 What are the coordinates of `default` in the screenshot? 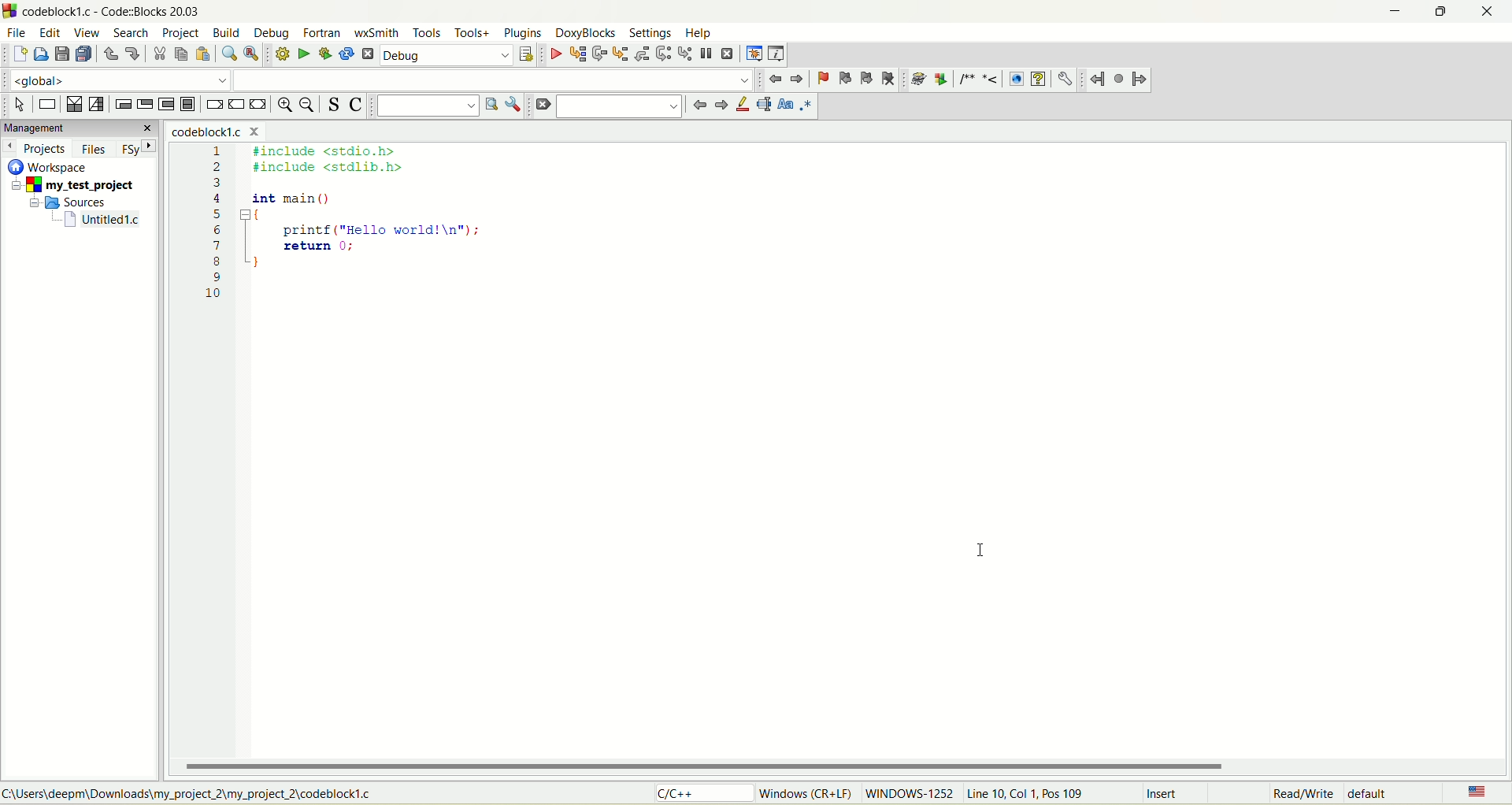 It's located at (1373, 792).